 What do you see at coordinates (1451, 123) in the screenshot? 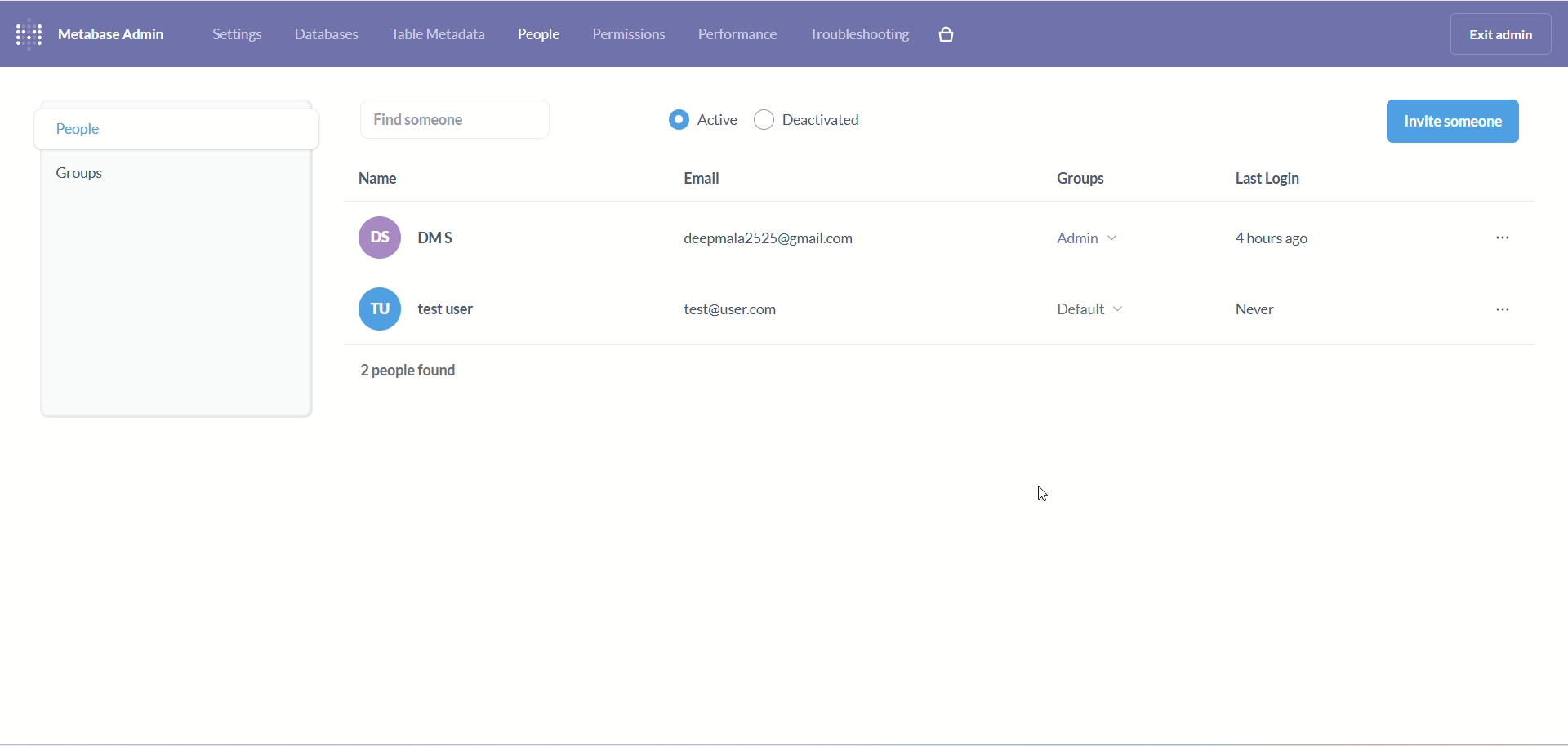
I see `invite someone` at bounding box center [1451, 123].